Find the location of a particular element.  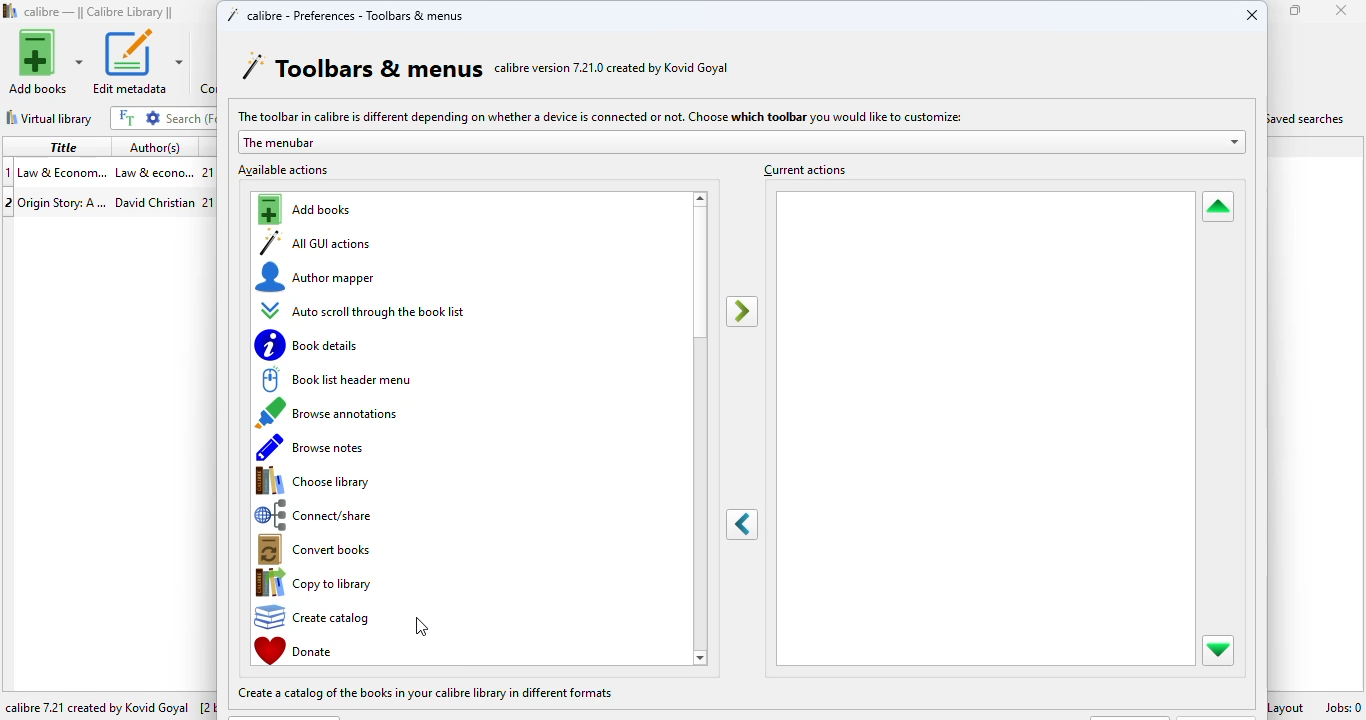

add books is located at coordinates (46, 61).